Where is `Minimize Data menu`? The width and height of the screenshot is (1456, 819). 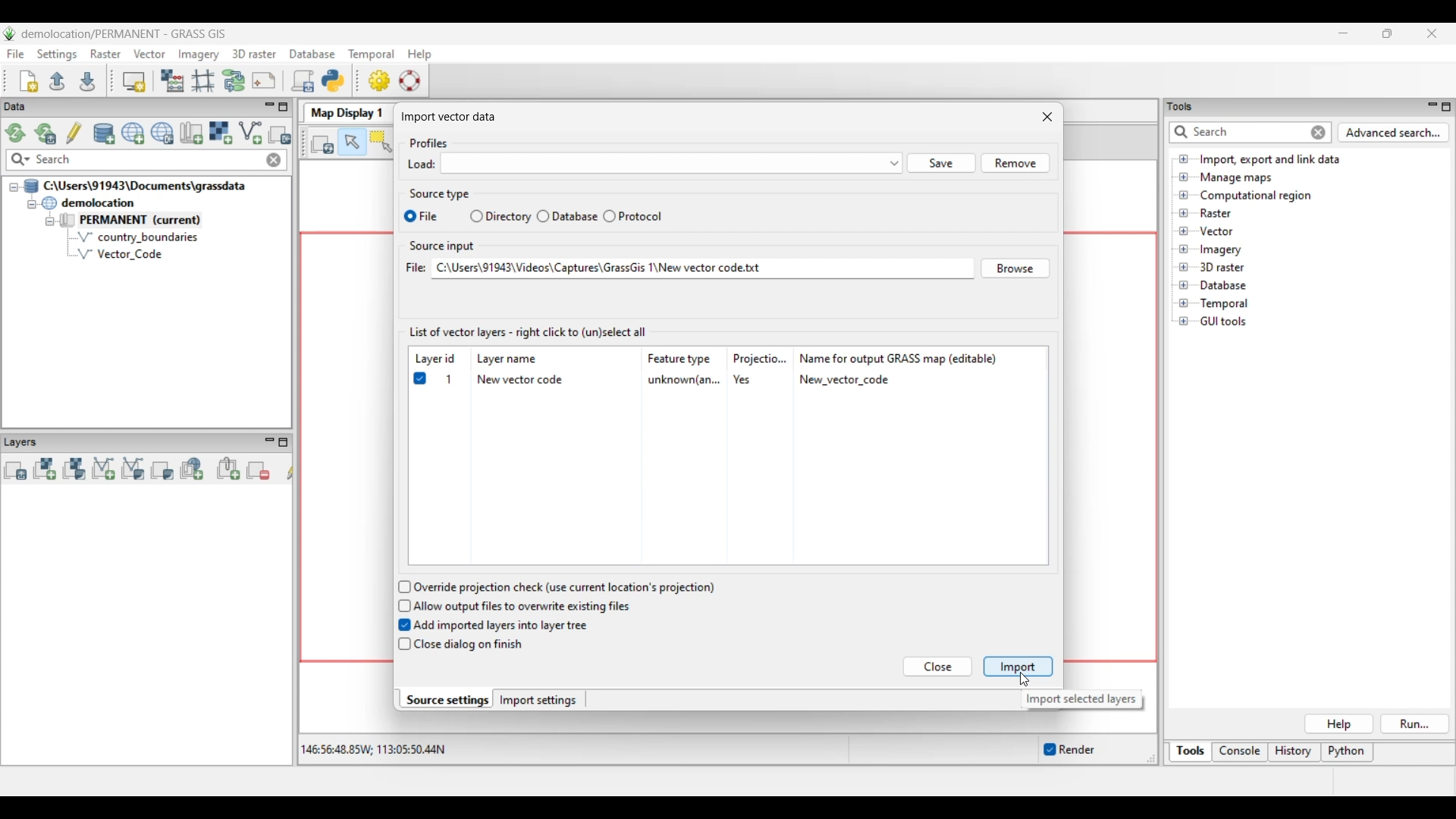
Minimize Data menu is located at coordinates (269, 108).